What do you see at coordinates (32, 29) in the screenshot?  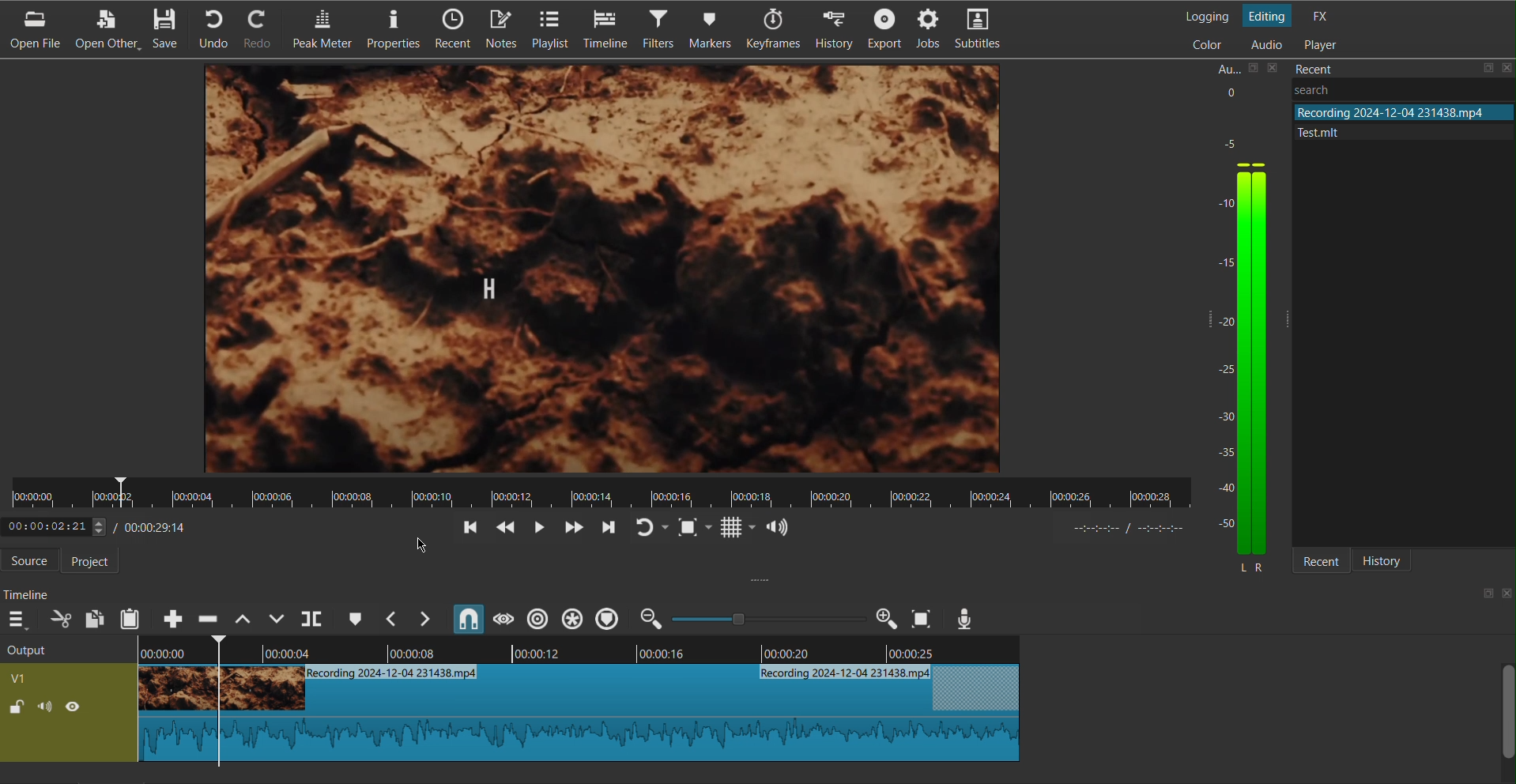 I see `Open File` at bounding box center [32, 29].